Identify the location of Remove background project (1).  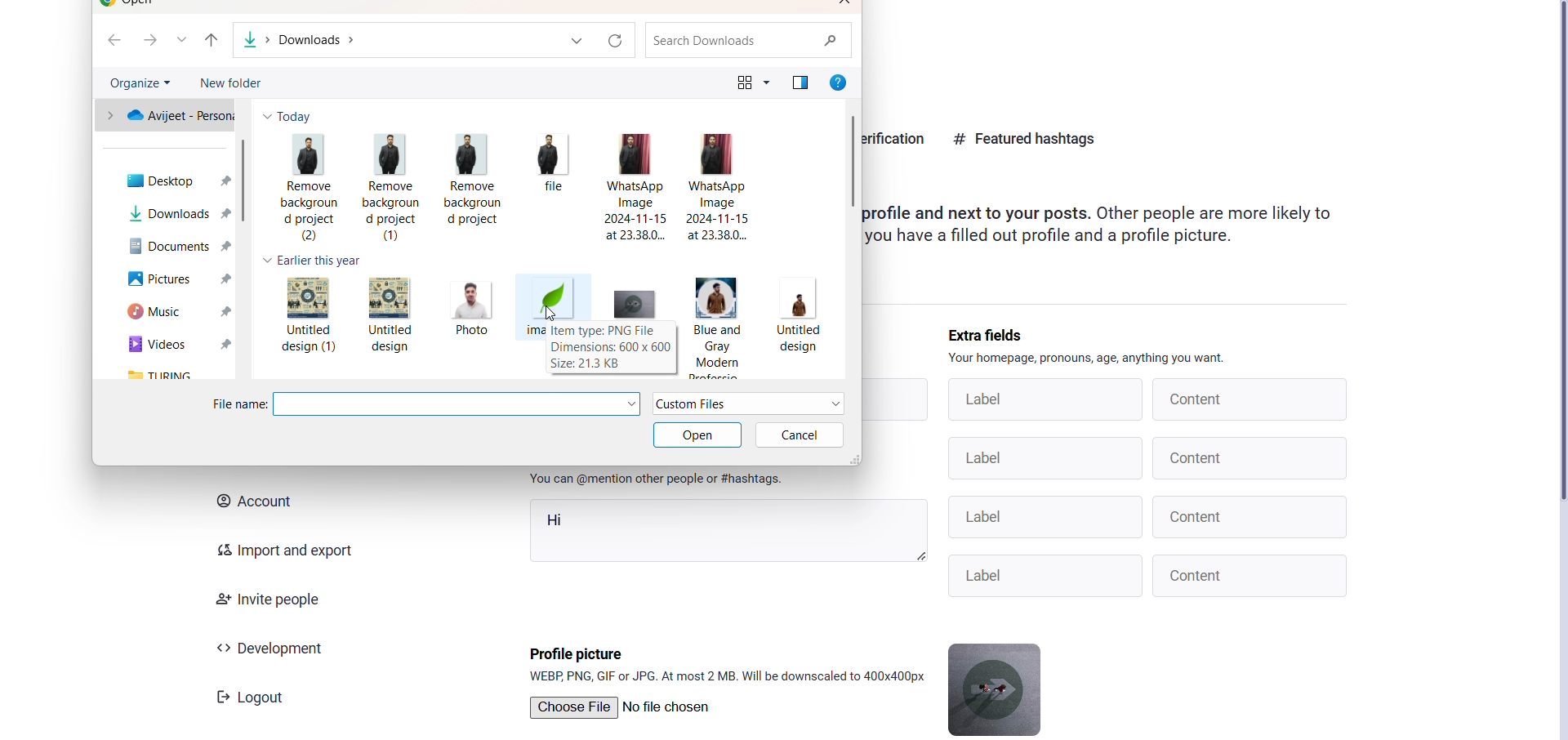
(391, 184).